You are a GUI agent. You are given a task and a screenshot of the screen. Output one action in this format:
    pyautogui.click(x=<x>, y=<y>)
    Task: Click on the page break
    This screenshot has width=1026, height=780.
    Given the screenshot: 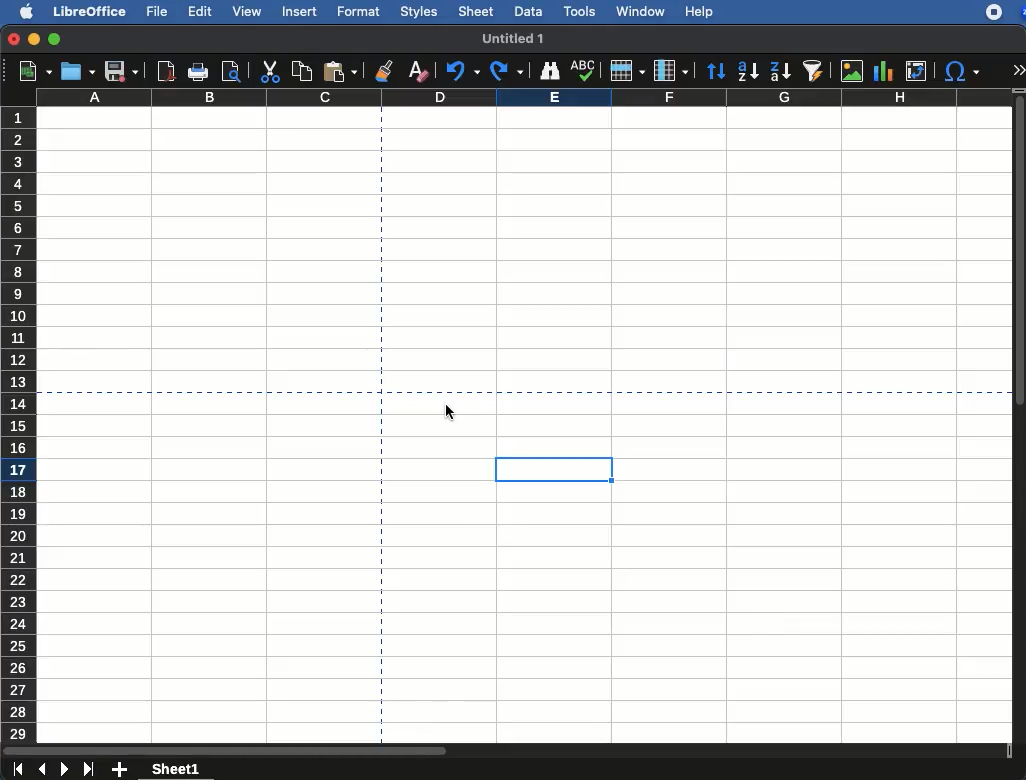 What is the action you would take?
    pyautogui.click(x=196, y=391)
    